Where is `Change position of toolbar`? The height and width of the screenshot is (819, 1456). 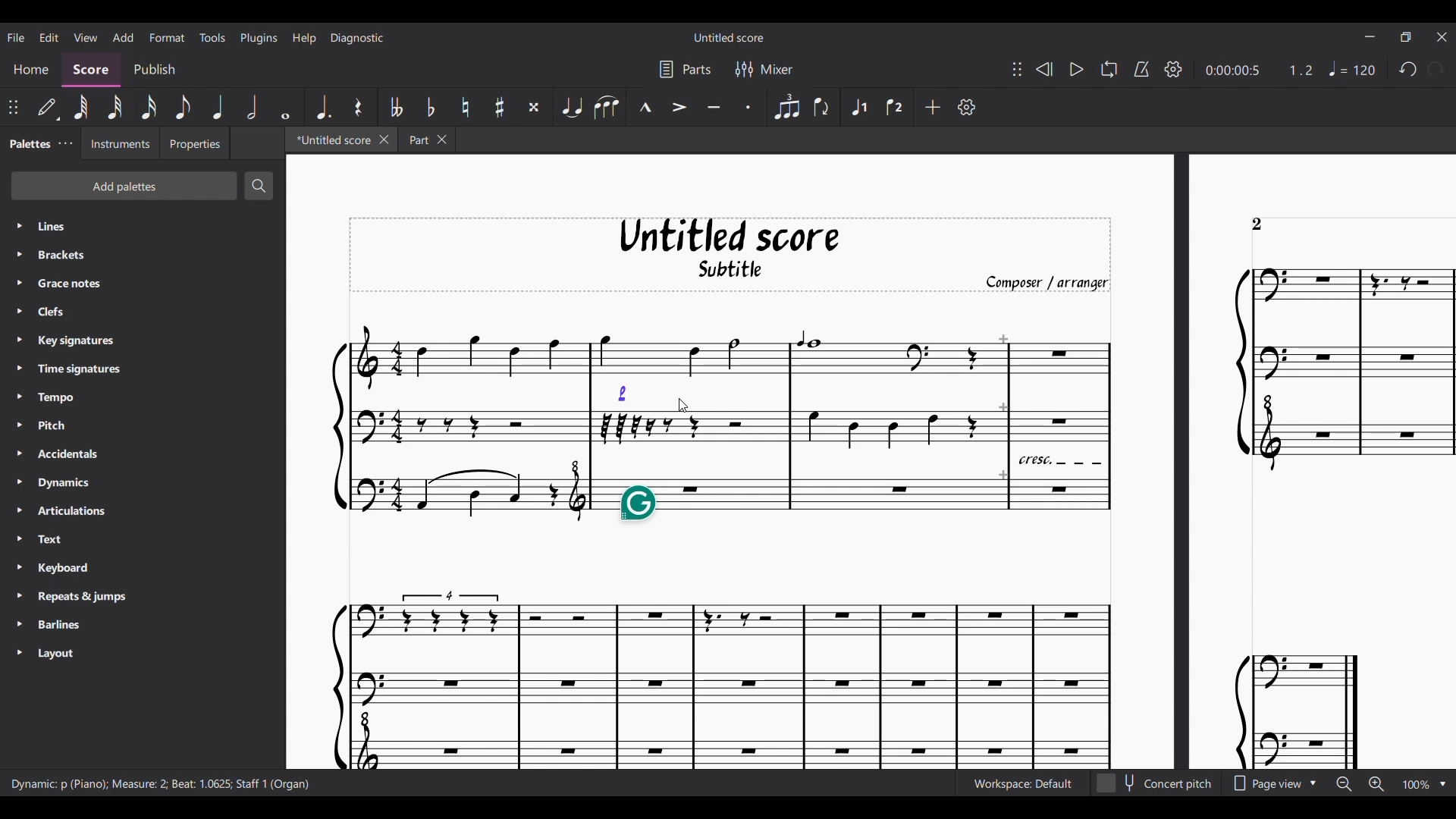 Change position of toolbar is located at coordinates (1017, 69).